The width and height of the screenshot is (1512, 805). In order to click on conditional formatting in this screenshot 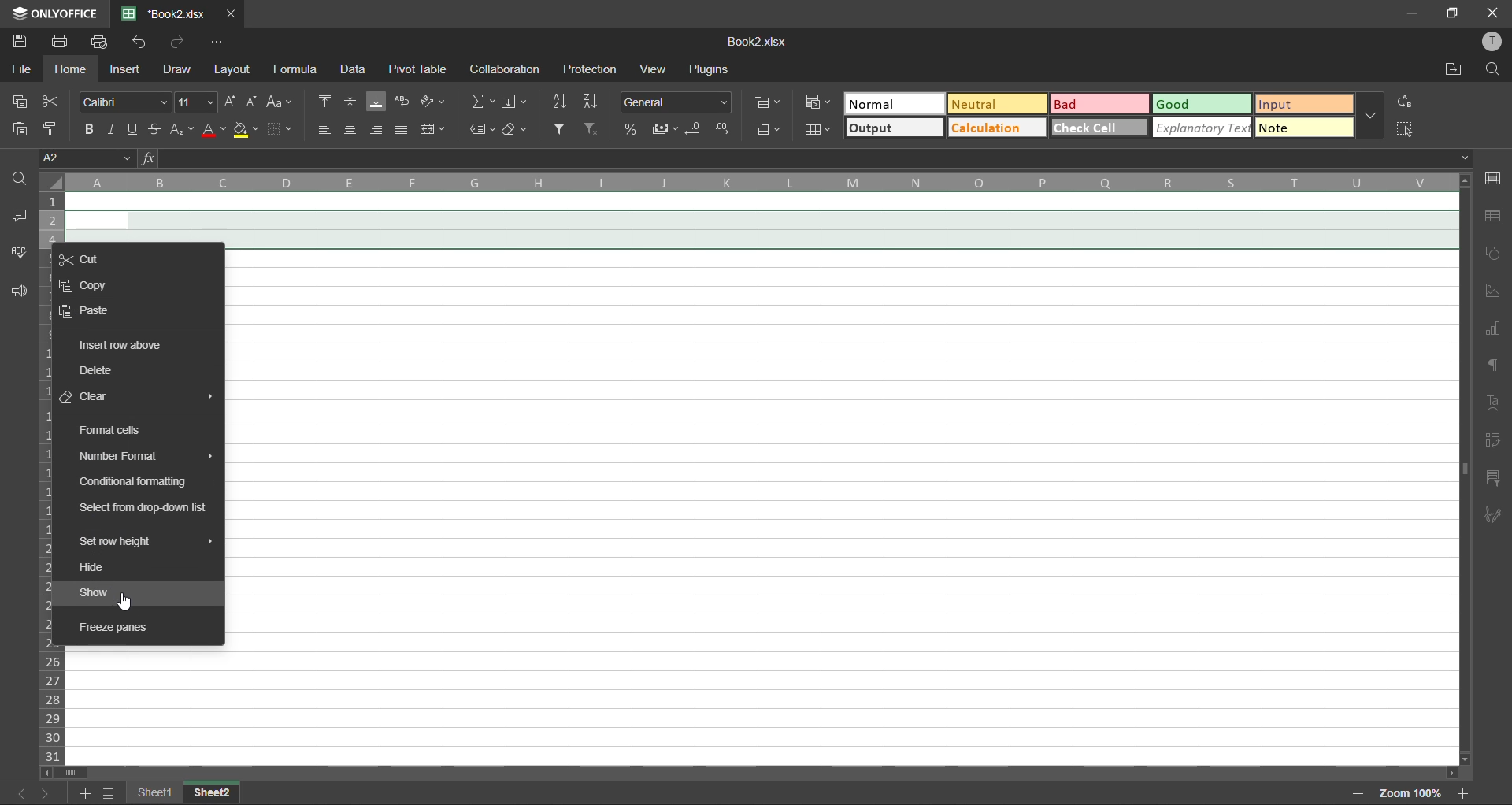, I will do `click(135, 482)`.